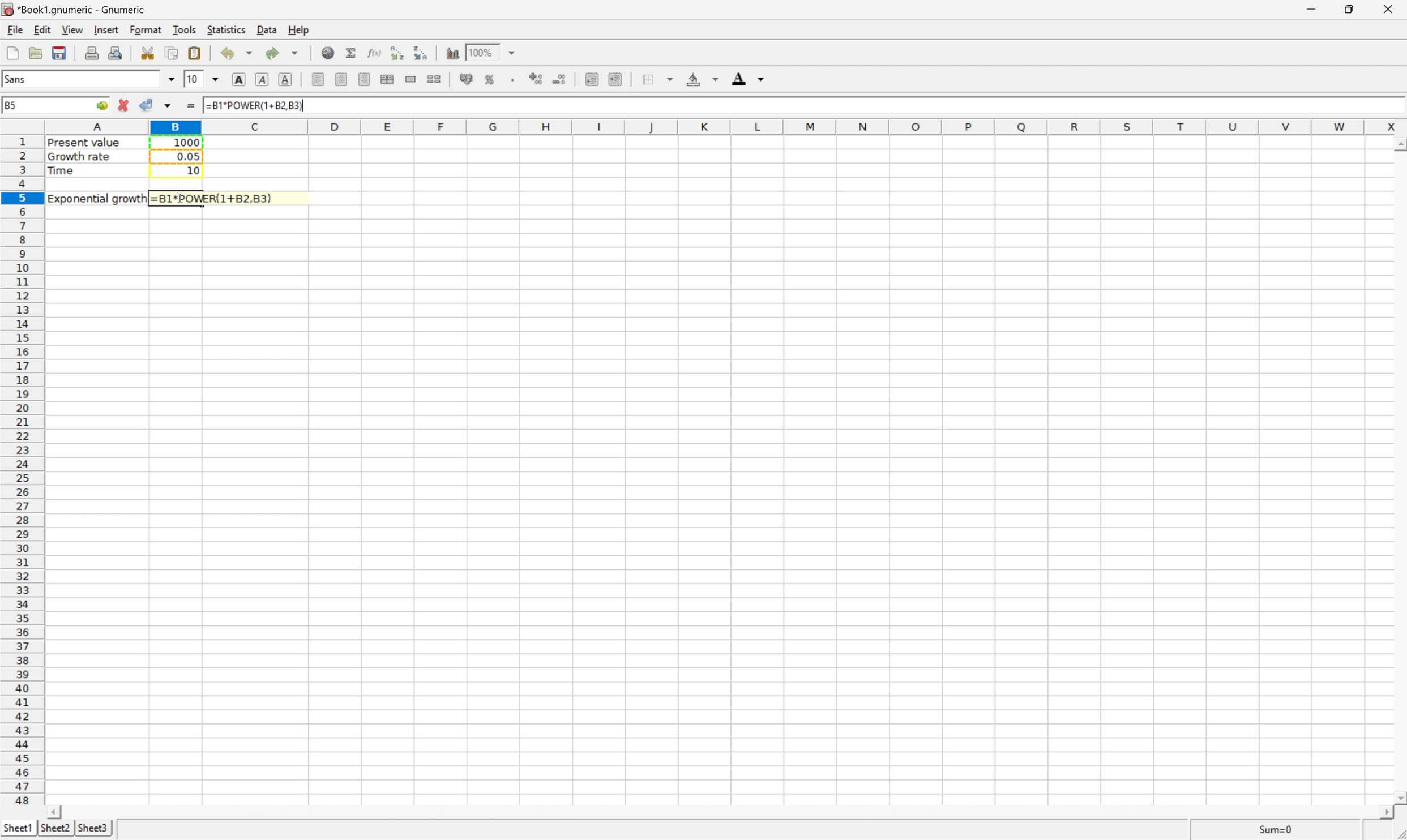 This screenshot has height=840, width=1407. Describe the element at coordinates (397, 53) in the screenshot. I see `Decrease indent, and align the contents to the left` at that location.